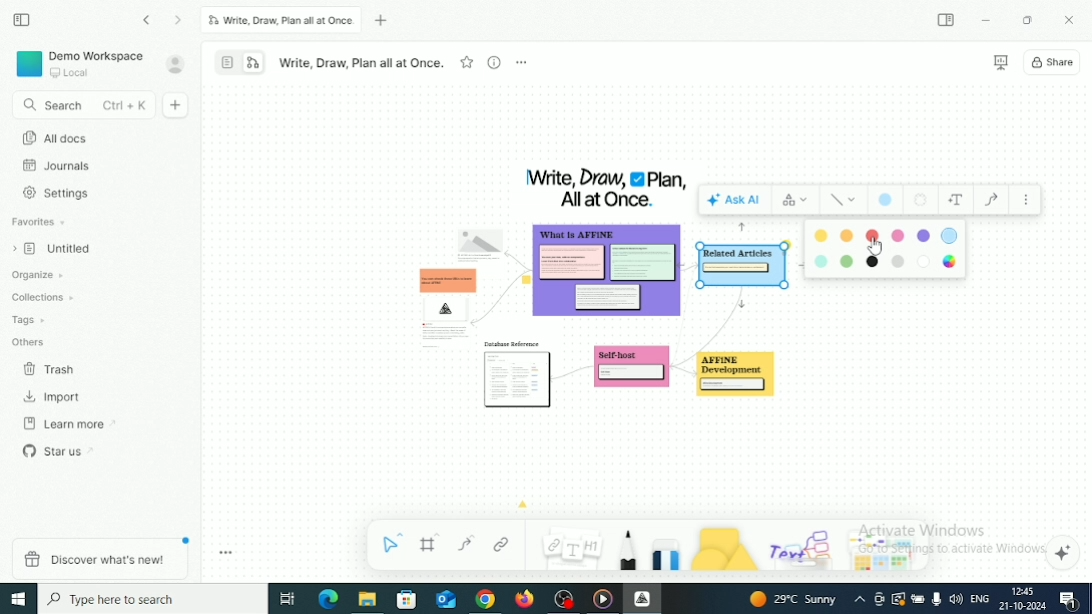 The image size is (1092, 614). Describe the element at coordinates (822, 236) in the screenshot. I see `Yellow` at that location.